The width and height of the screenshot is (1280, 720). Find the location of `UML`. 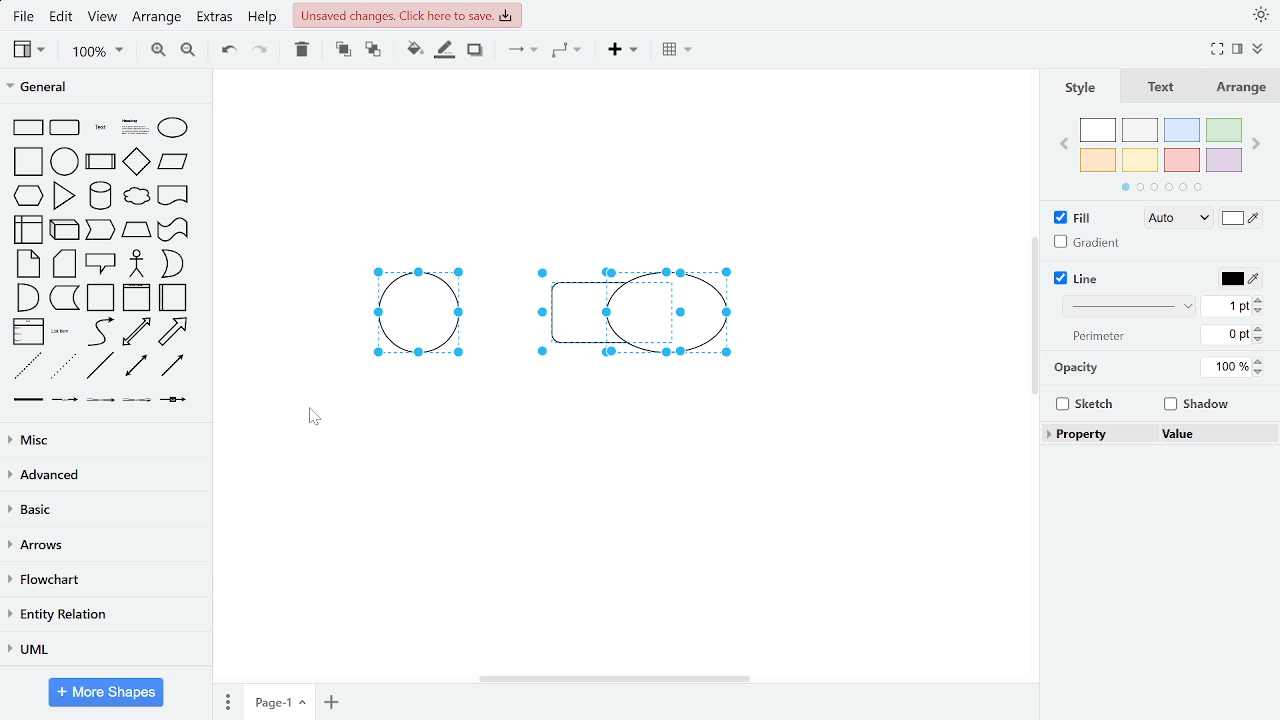

UML is located at coordinates (103, 649).